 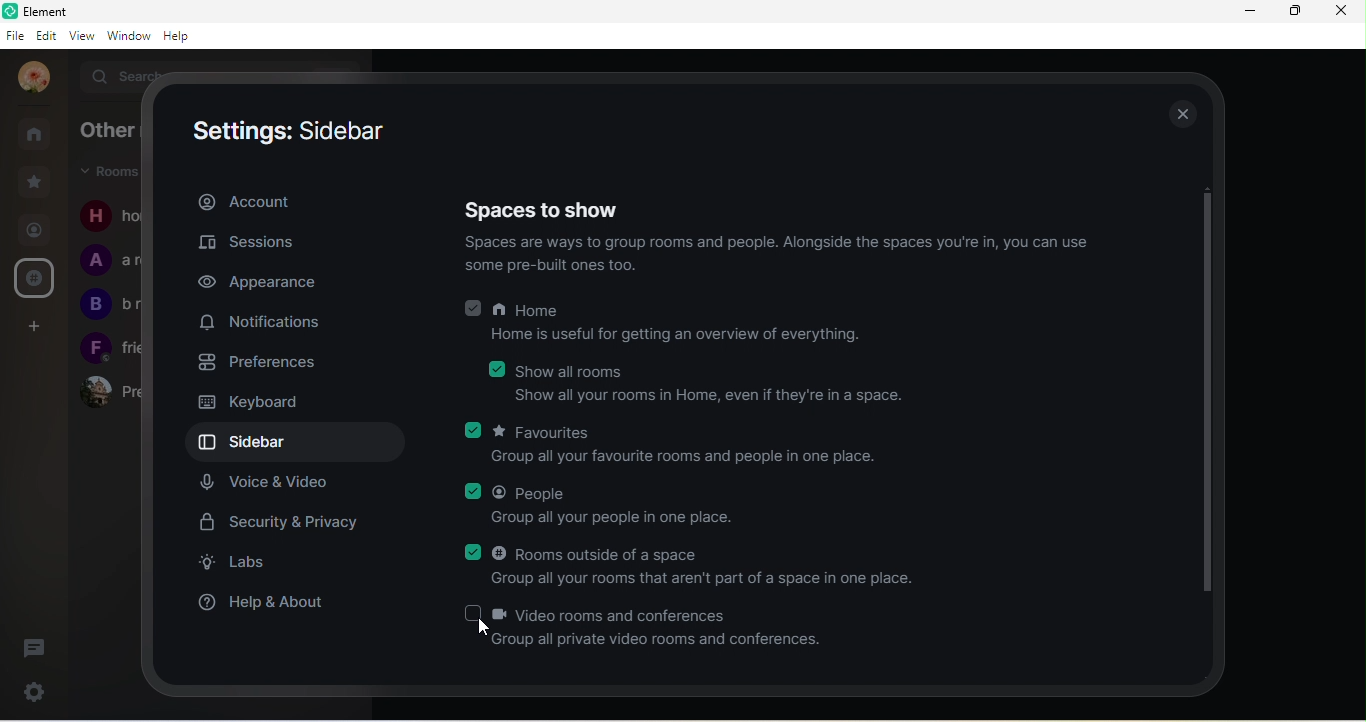 What do you see at coordinates (35, 277) in the screenshot?
I see `public room` at bounding box center [35, 277].